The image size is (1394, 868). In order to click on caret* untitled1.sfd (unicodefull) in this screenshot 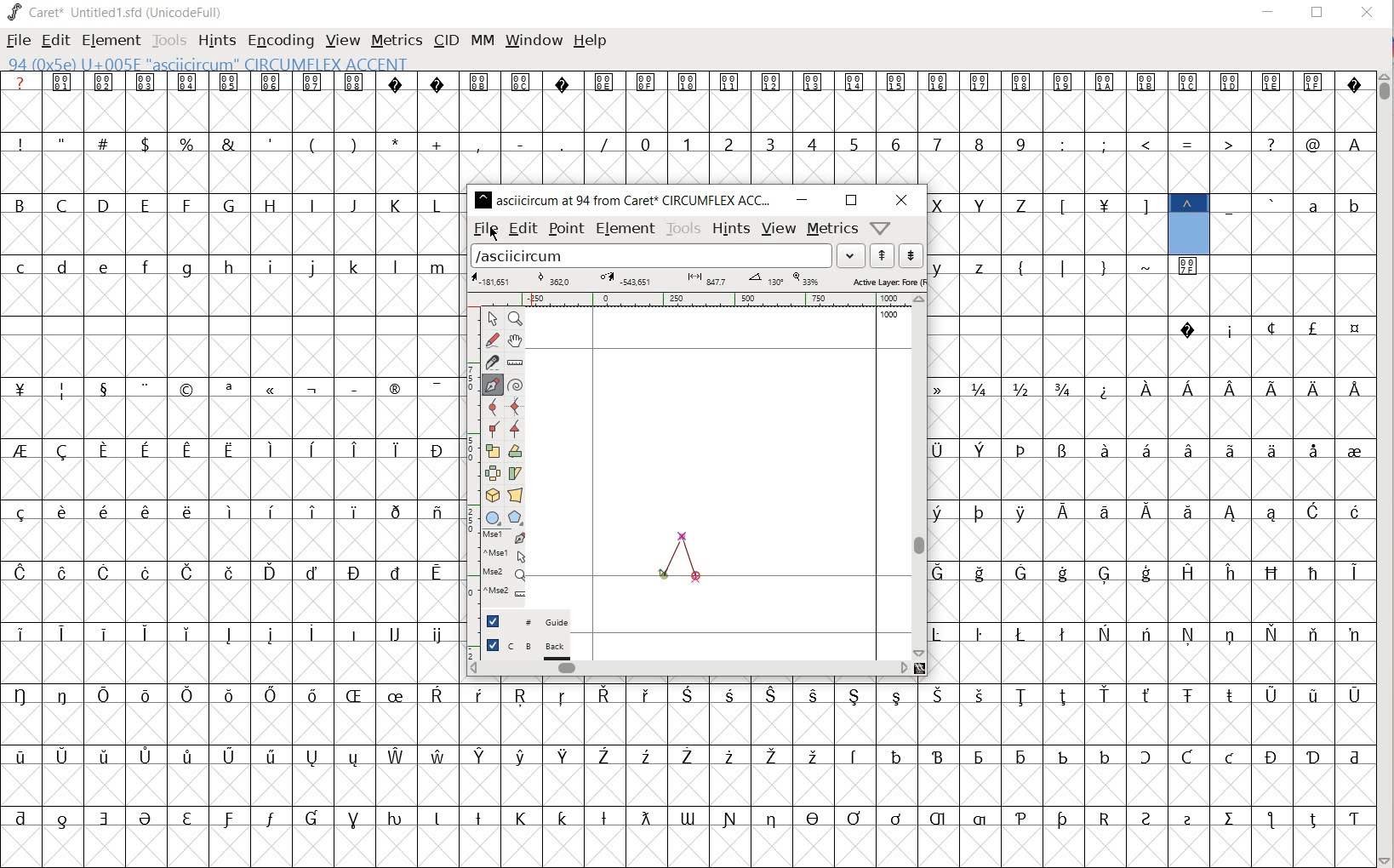, I will do `click(117, 11)`.